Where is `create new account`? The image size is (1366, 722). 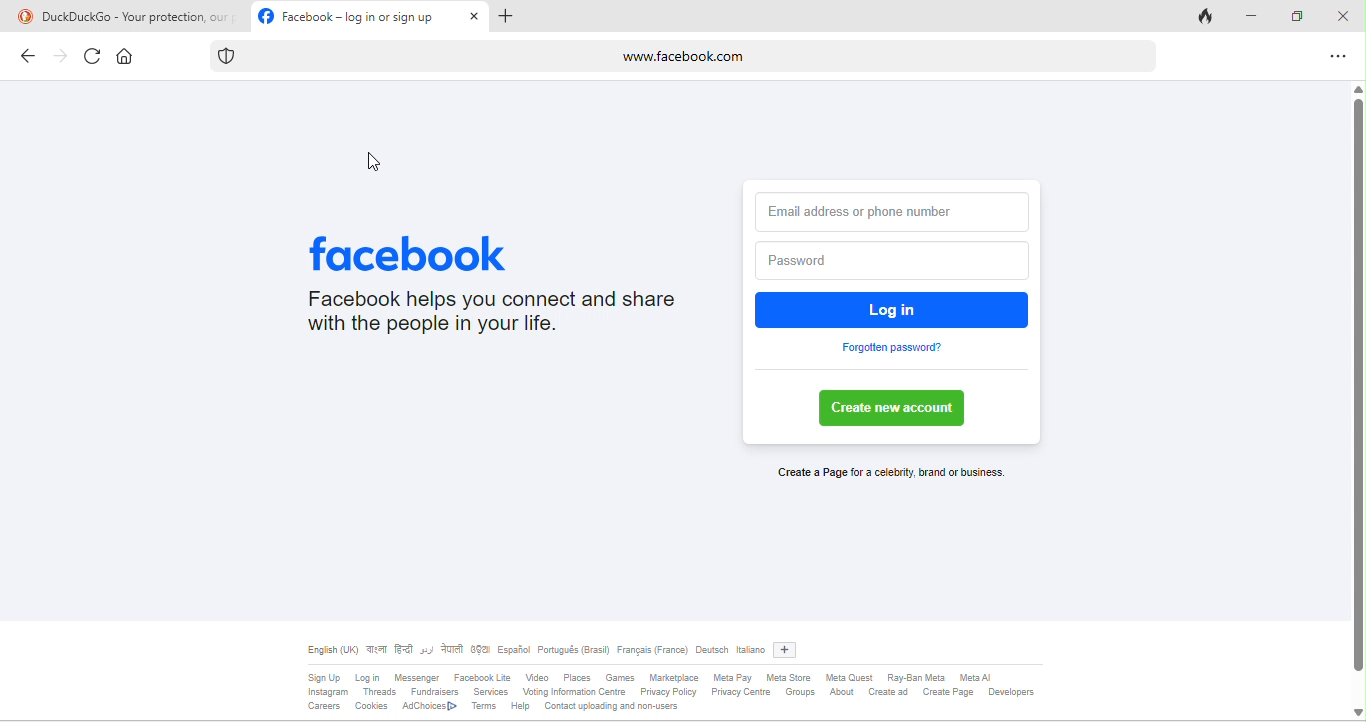
create new account is located at coordinates (895, 410).